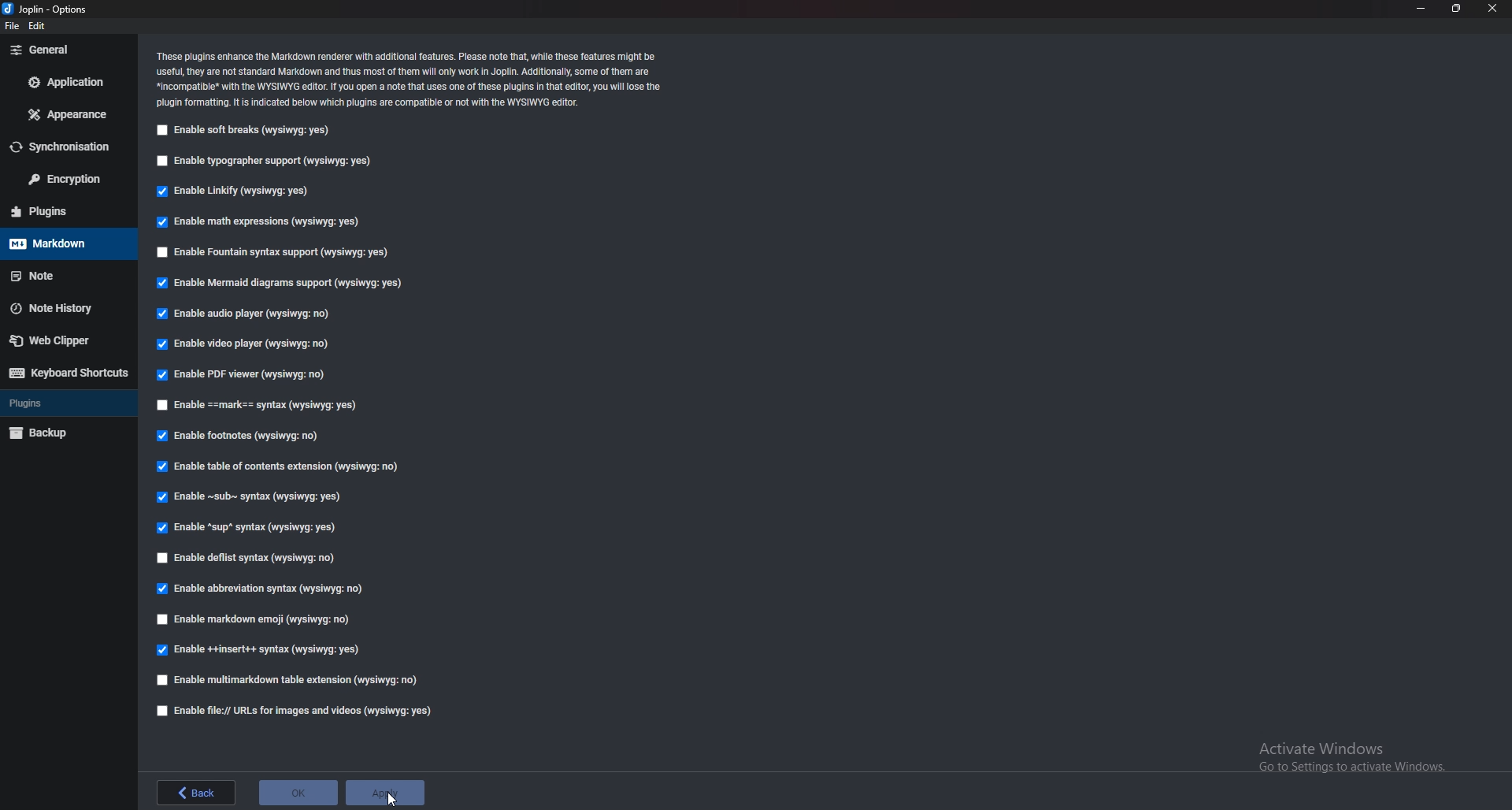  What do you see at coordinates (261, 403) in the screenshot?
I see `enable Mark Syntax` at bounding box center [261, 403].